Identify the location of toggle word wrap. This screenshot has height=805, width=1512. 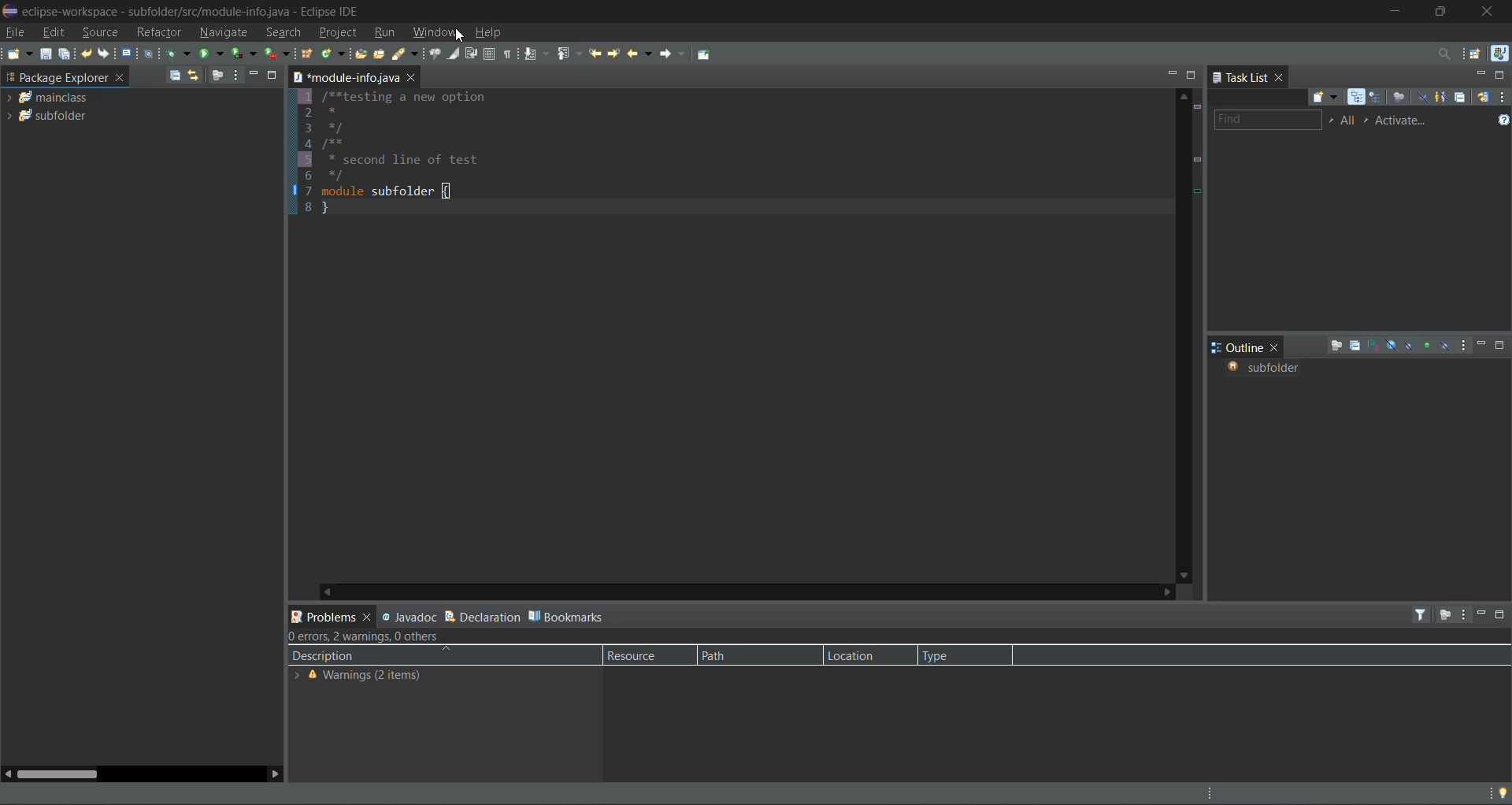
(473, 52).